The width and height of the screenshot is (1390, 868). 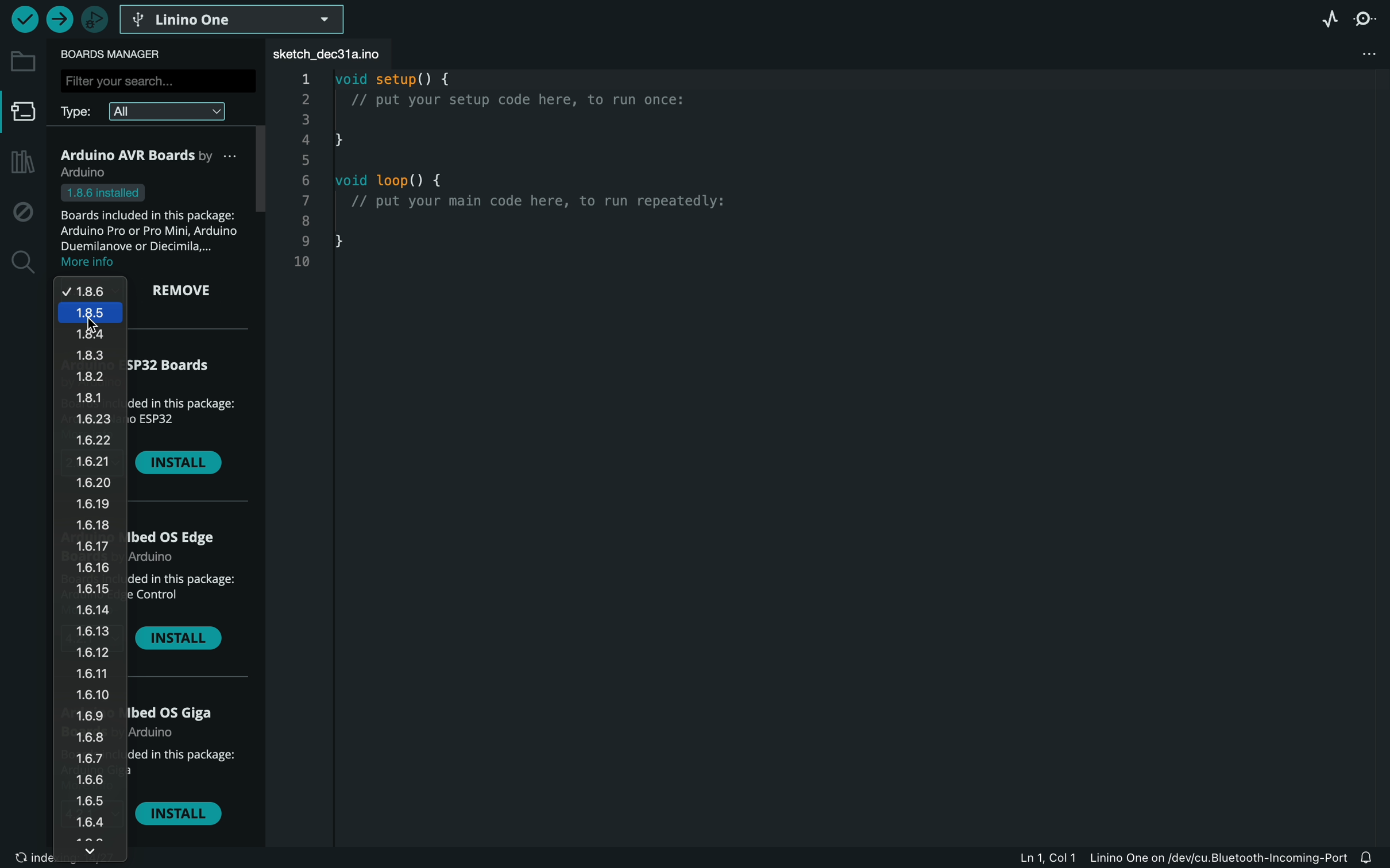 I want to click on 10, so click(x=300, y=262).